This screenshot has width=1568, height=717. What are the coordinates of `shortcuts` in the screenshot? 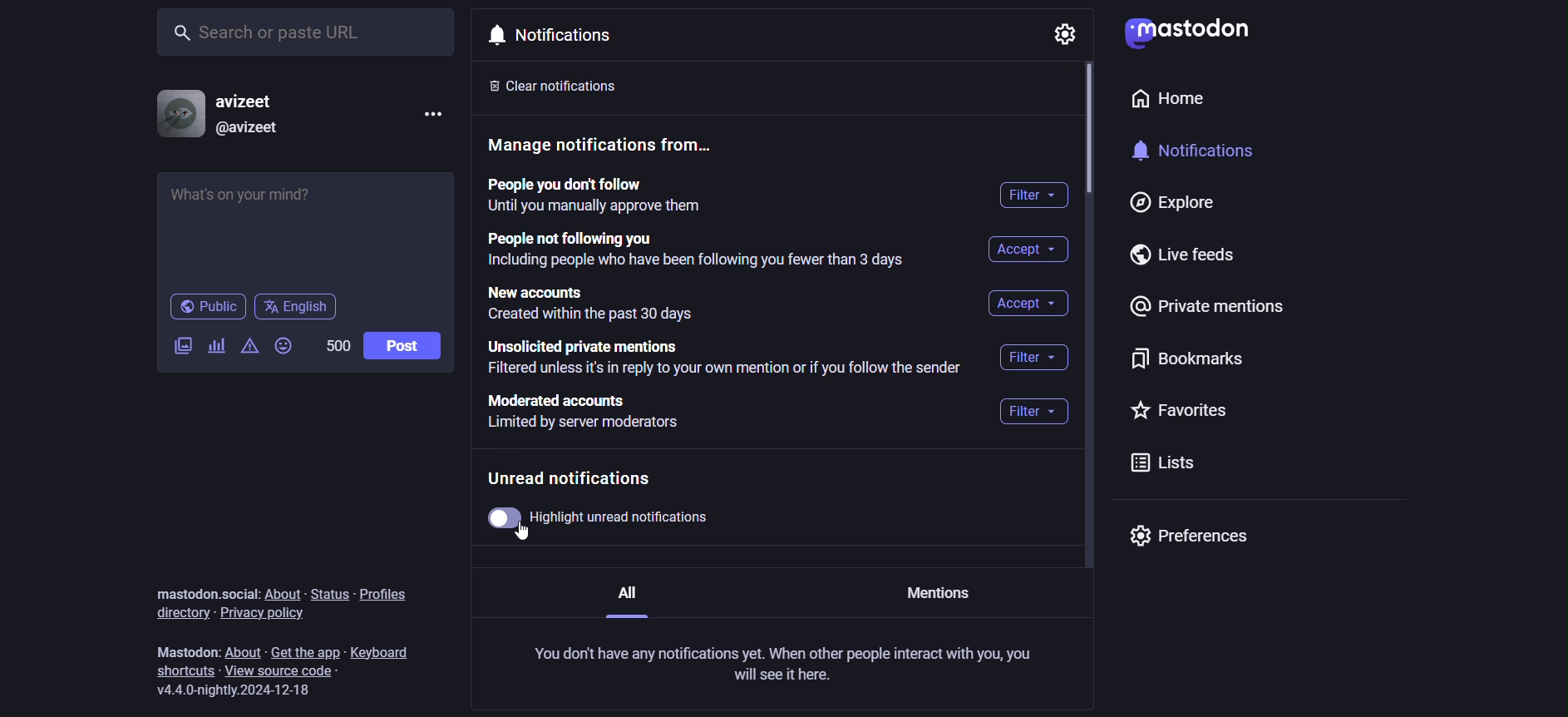 It's located at (182, 671).